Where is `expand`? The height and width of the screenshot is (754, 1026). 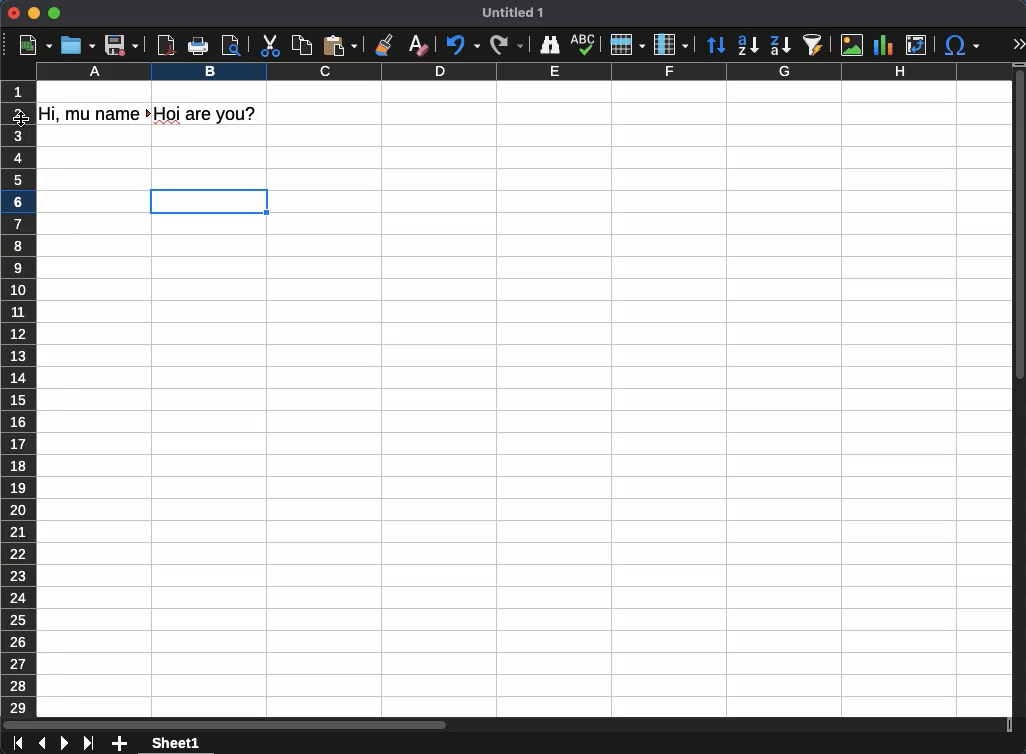 expand is located at coordinates (1020, 45).